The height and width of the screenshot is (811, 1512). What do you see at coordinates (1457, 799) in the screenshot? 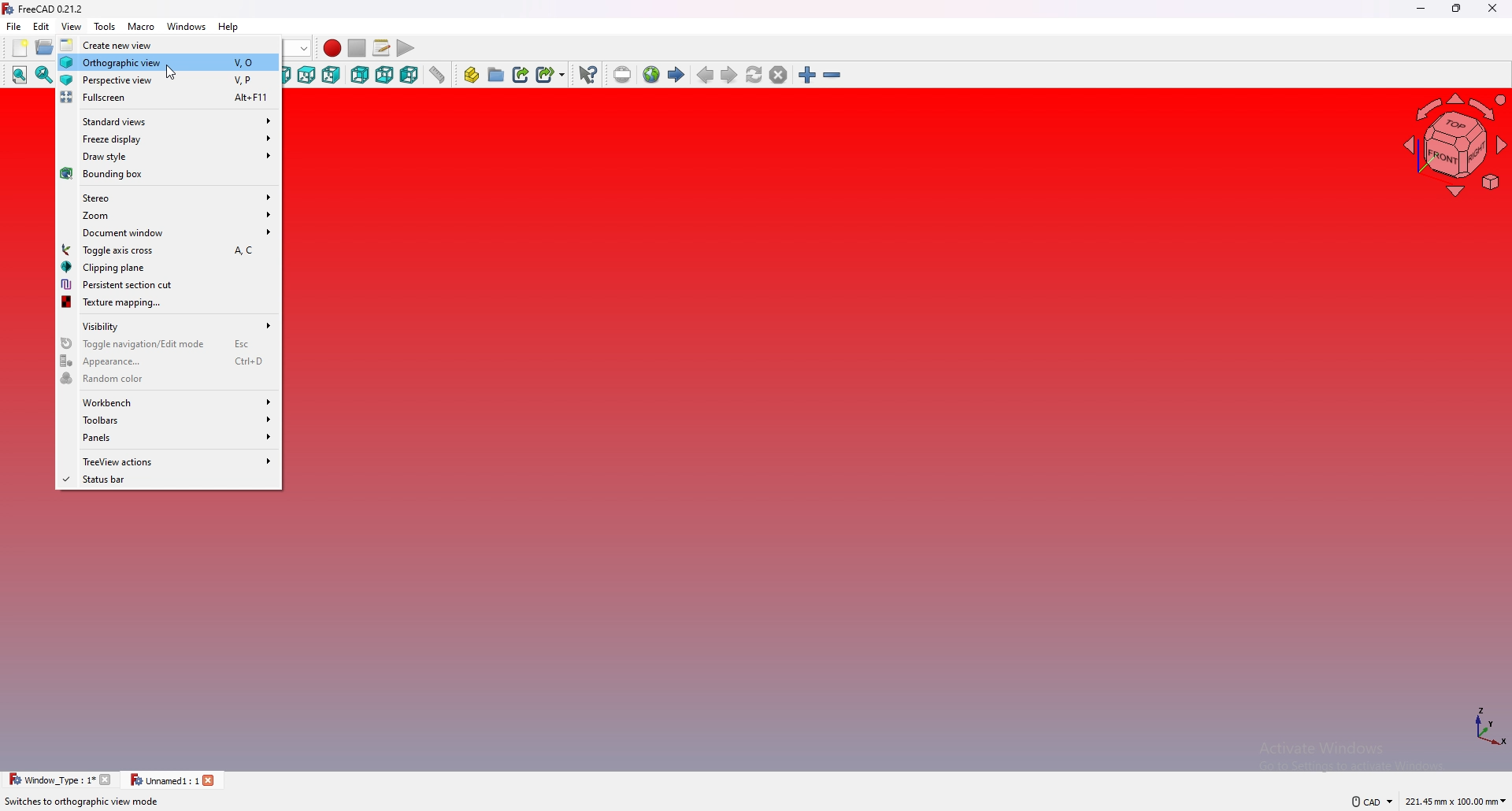
I see `221.45 mm x 100.00 mm` at bounding box center [1457, 799].